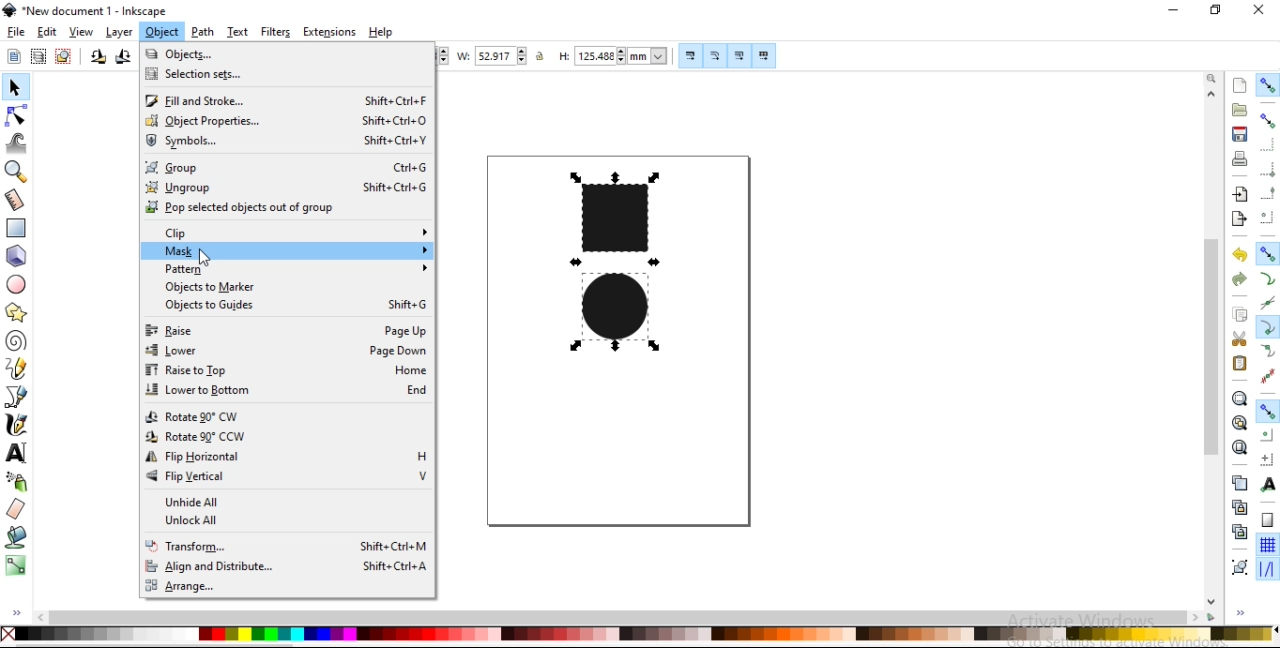 The width and height of the screenshot is (1280, 648). Describe the element at coordinates (286, 477) in the screenshot. I see `flip vertical` at that location.